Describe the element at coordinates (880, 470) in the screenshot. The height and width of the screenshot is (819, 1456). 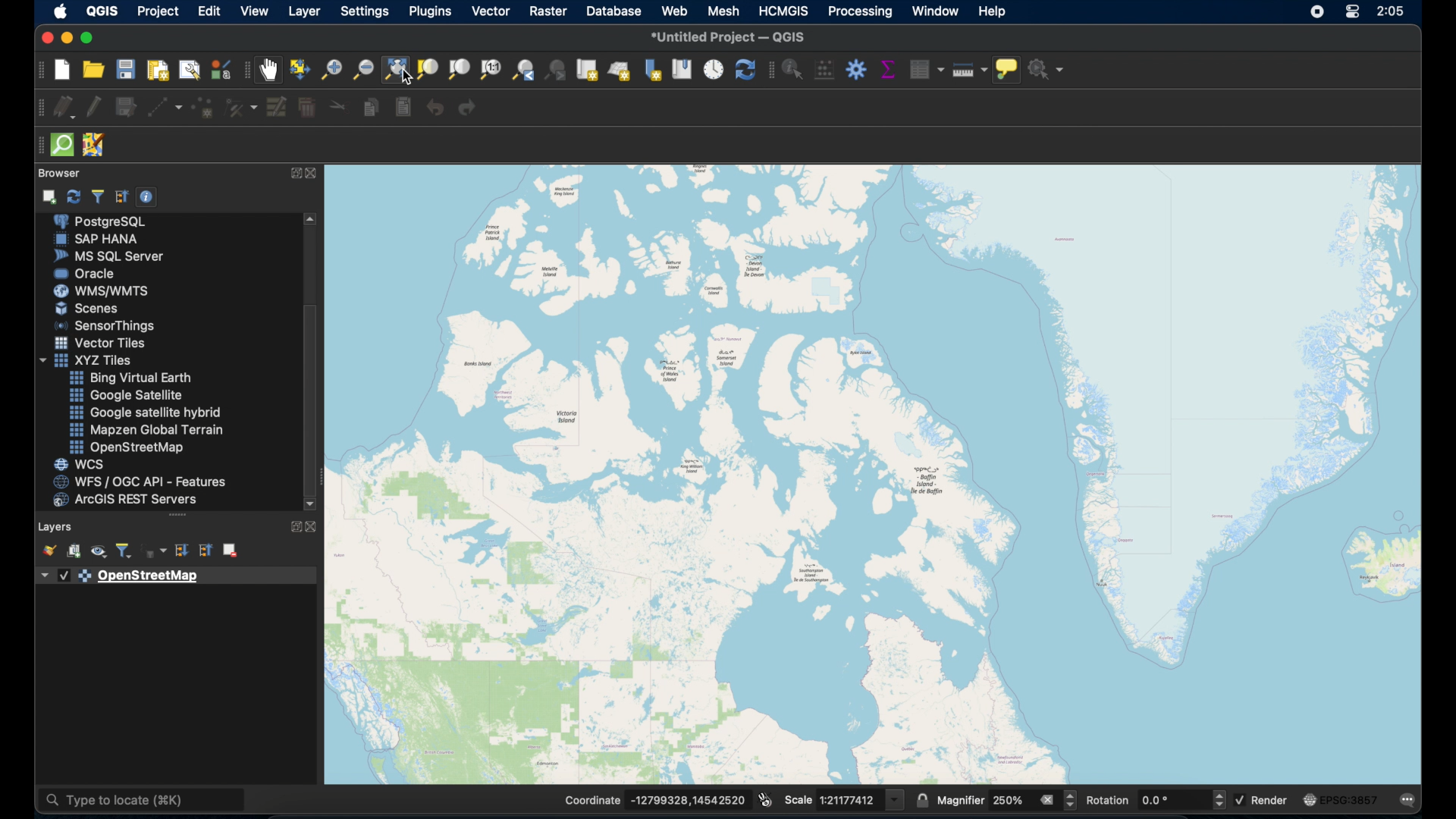
I see `openstreetmap` at that location.